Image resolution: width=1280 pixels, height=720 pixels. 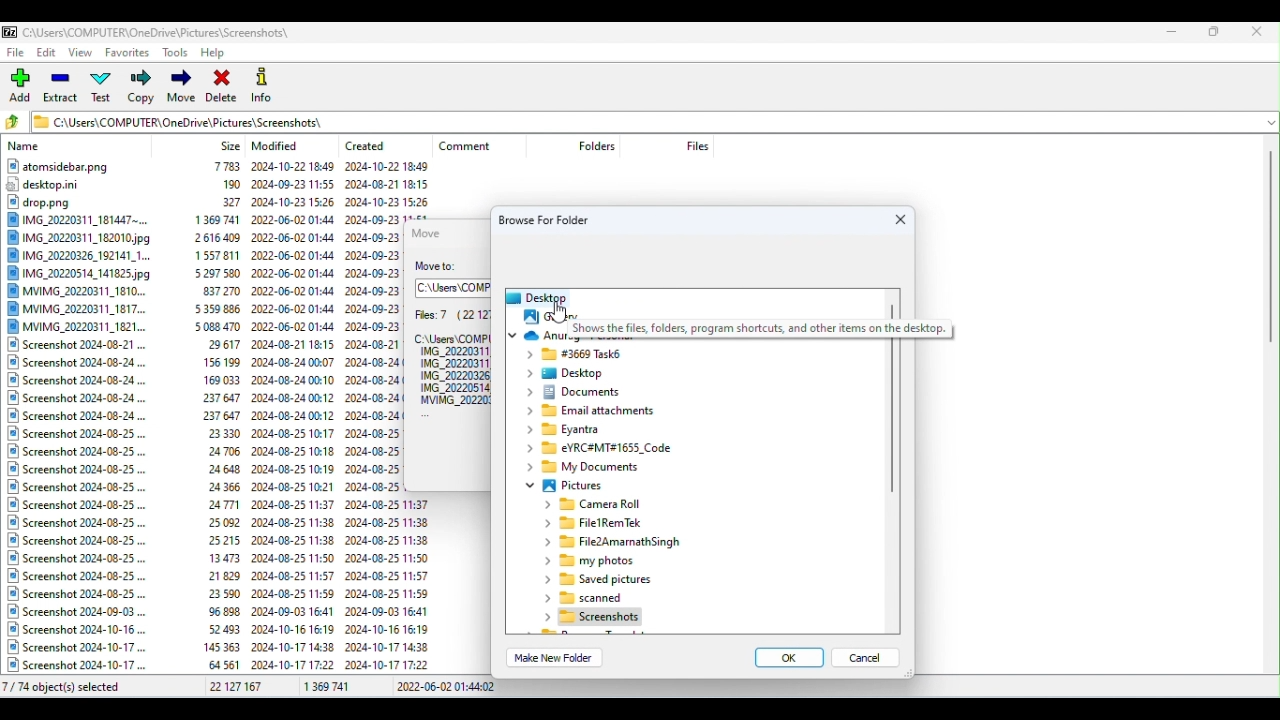 I want to click on Extract, so click(x=62, y=89).